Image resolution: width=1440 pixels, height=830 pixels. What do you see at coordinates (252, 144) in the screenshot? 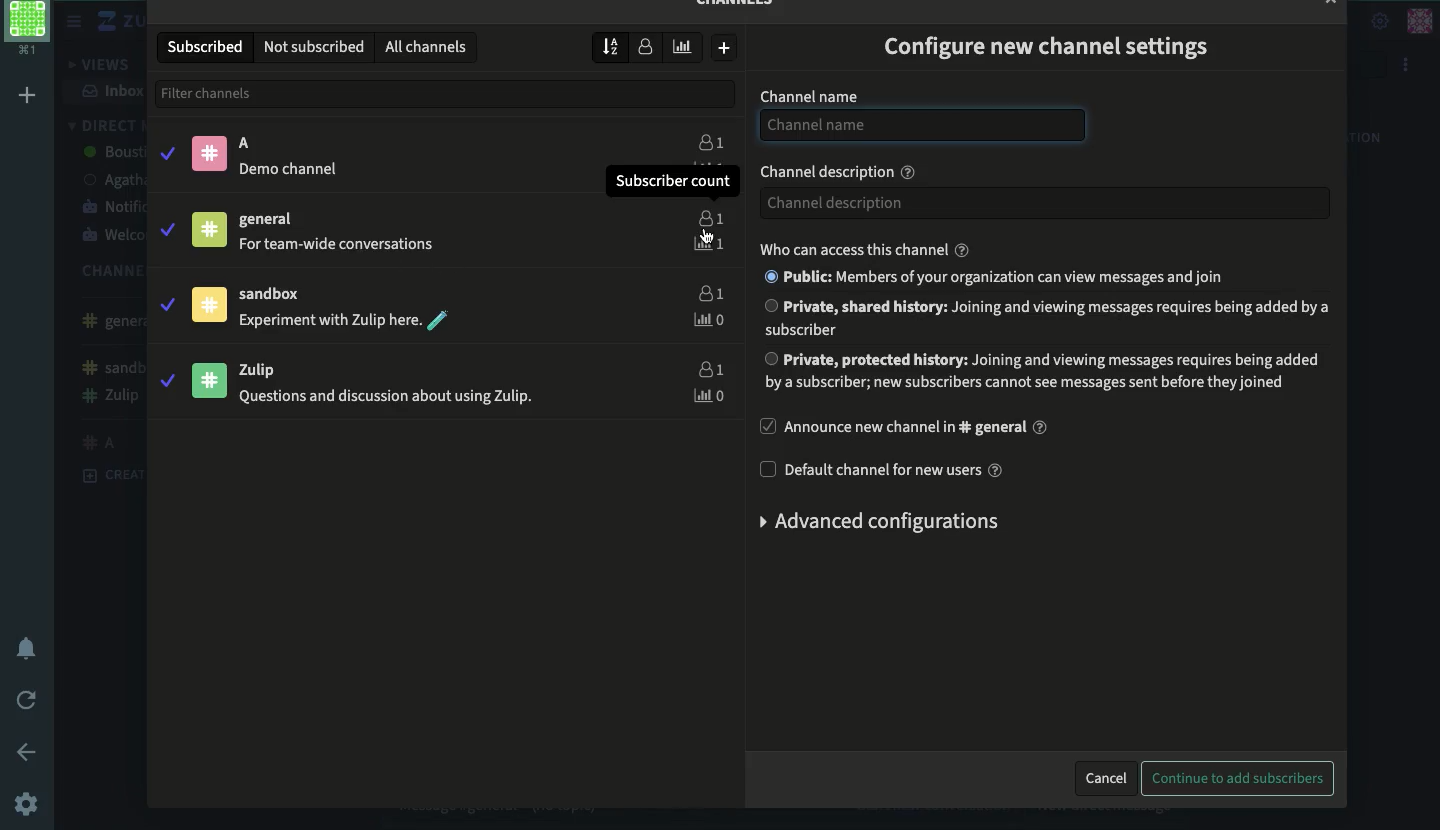
I see `A` at bounding box center [252, 144].